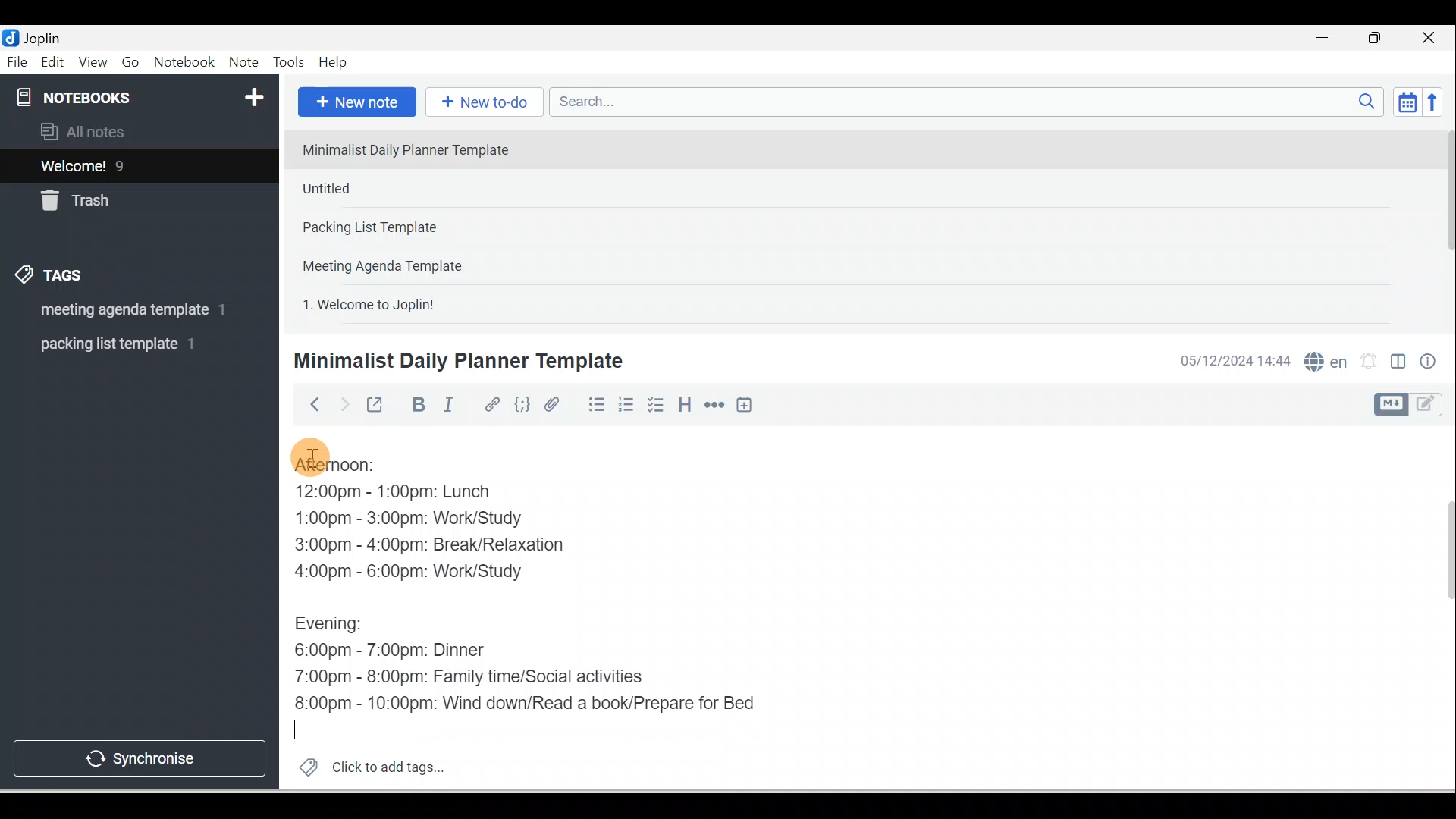 The height and width of the screenshot is (819, 1456). Describe the element at coordinates (491, 406) in the screenshot. I see `Hyperlink` at that location.